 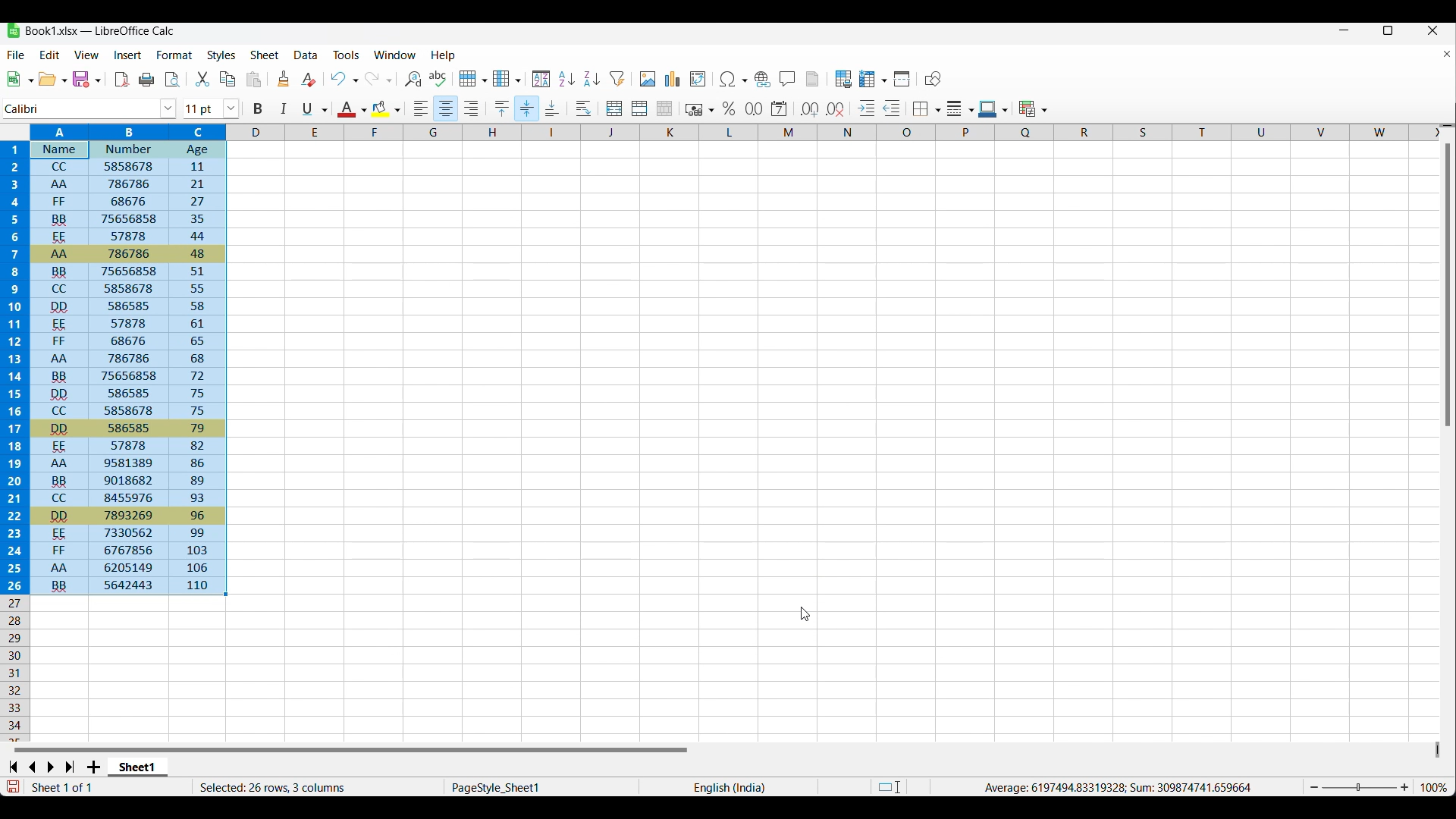 What do you see at coordinates (813, 79) in the screenshot?
I see `Headers and Footers` at bounding box center [813, 79].